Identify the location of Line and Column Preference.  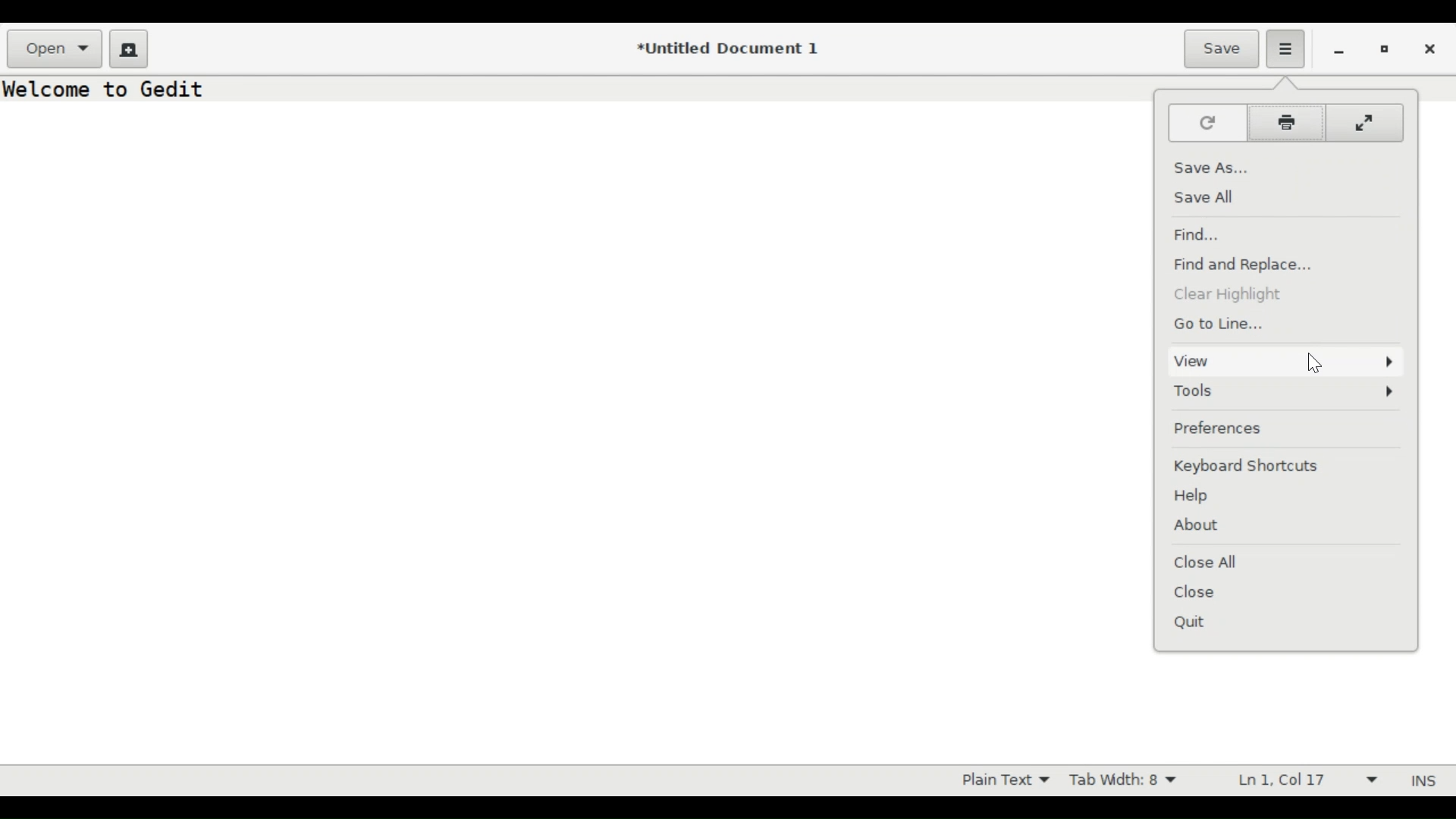
(1302, 781).